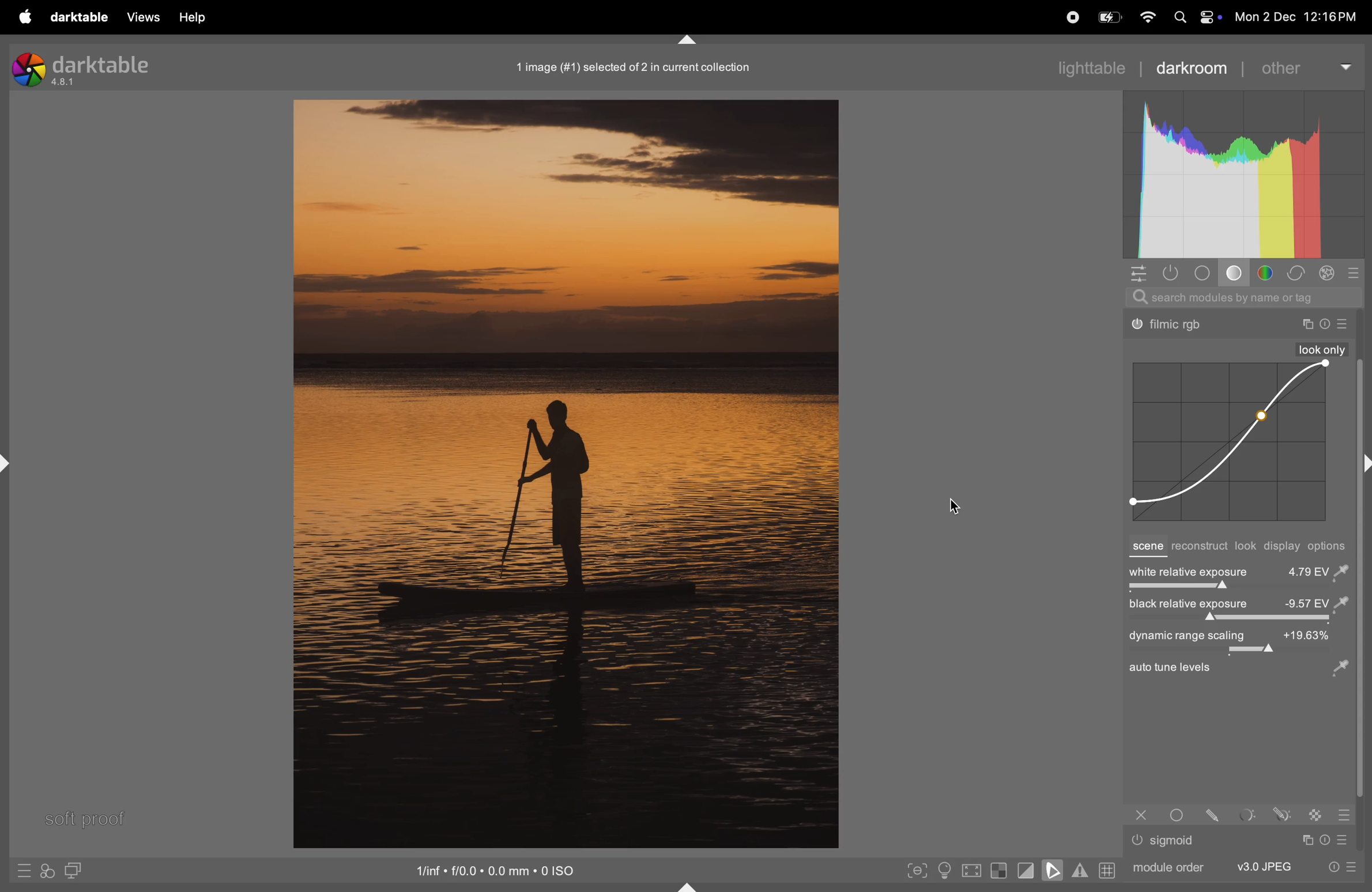 This screenshot has height=892, width=1372. I want to click on correct , so click(1296, 274).